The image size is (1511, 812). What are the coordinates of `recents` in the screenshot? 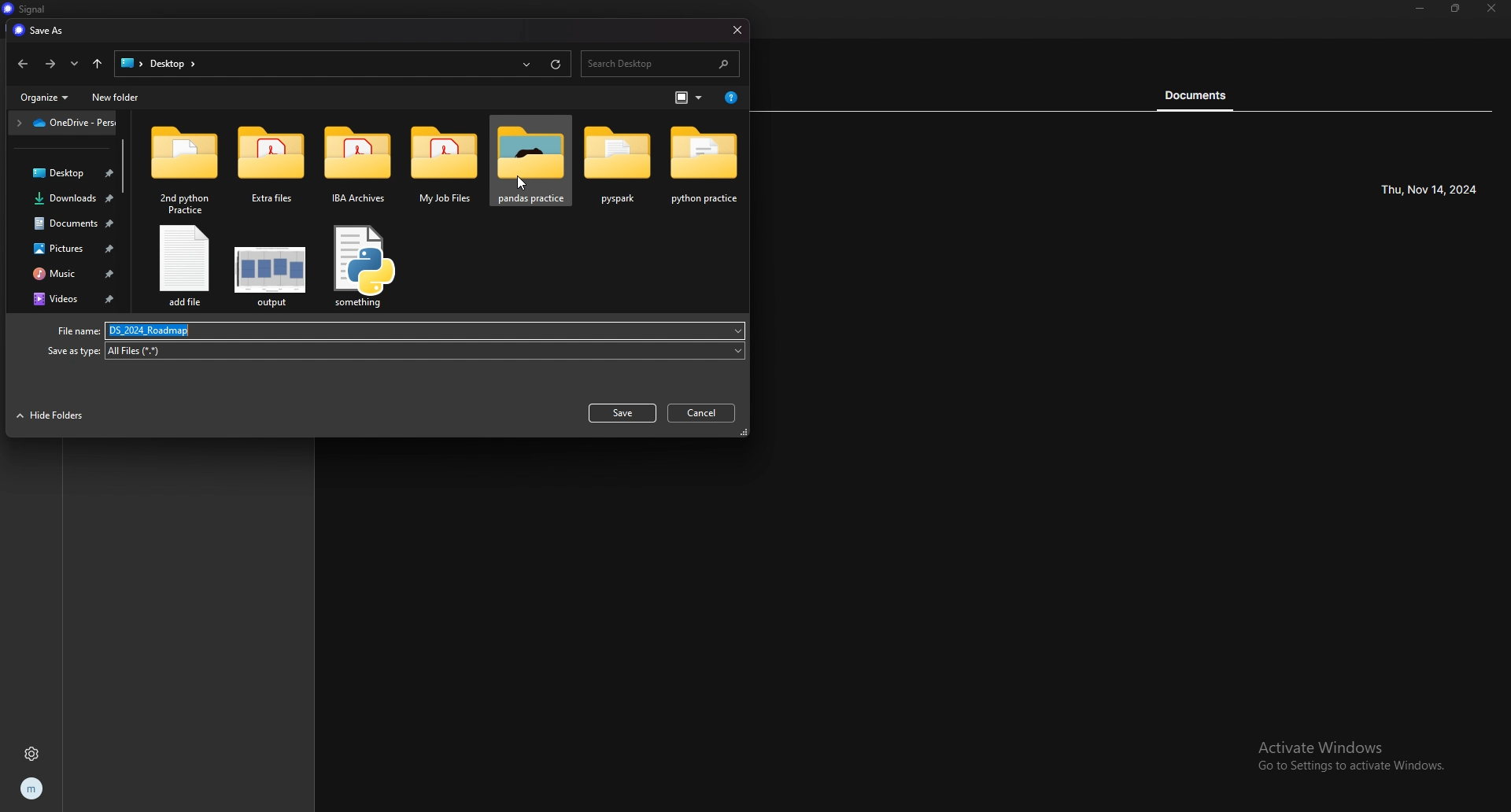 It's located at (526, 65).